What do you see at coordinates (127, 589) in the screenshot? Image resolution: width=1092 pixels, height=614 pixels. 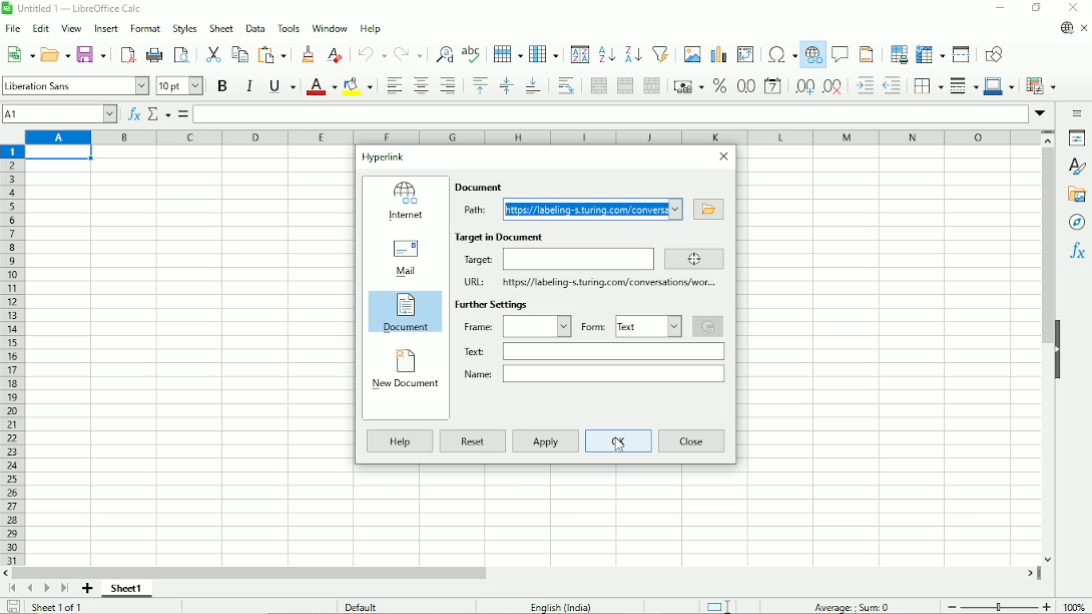 I see `Sheet1` at bounding box center [127, 589].